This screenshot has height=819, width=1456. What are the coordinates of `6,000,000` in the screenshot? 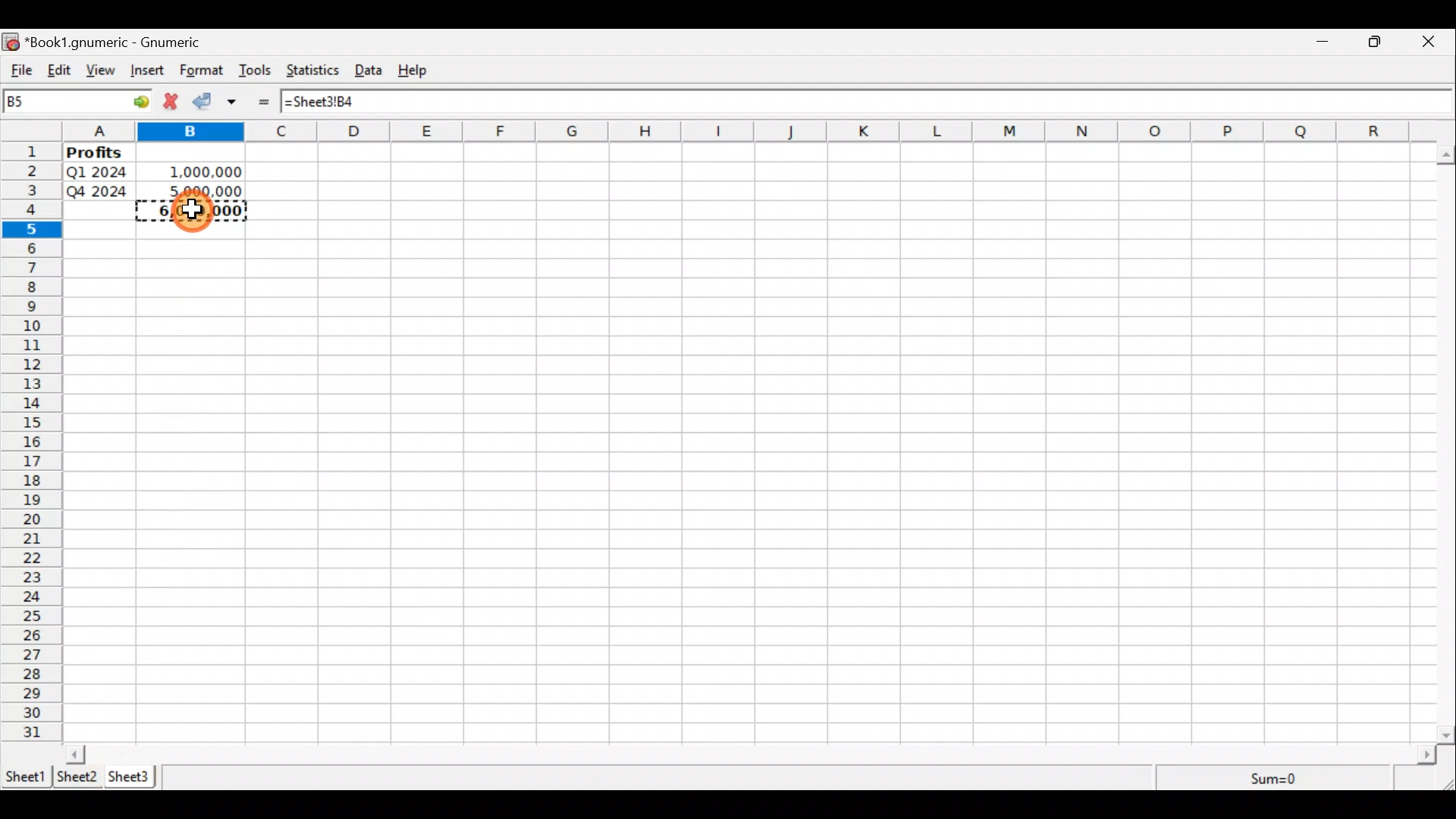 It's located at (194, 212).